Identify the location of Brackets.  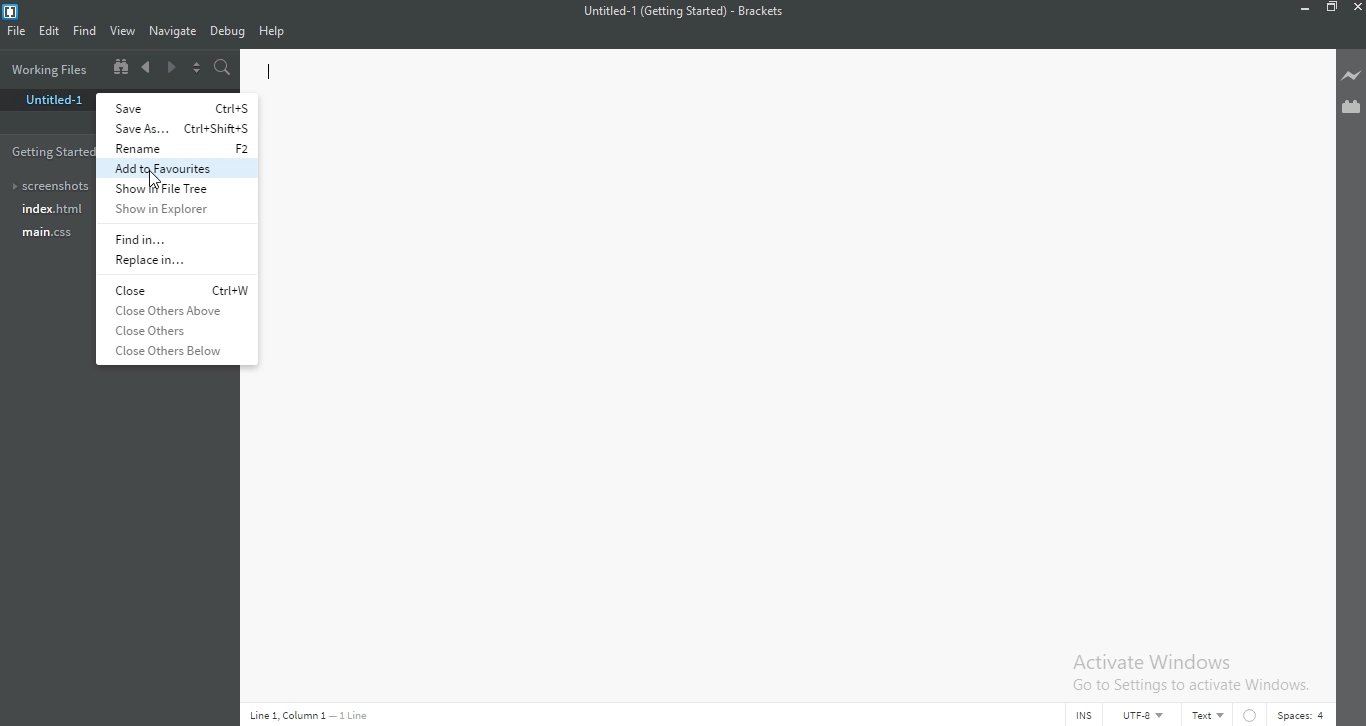
(764, 12).